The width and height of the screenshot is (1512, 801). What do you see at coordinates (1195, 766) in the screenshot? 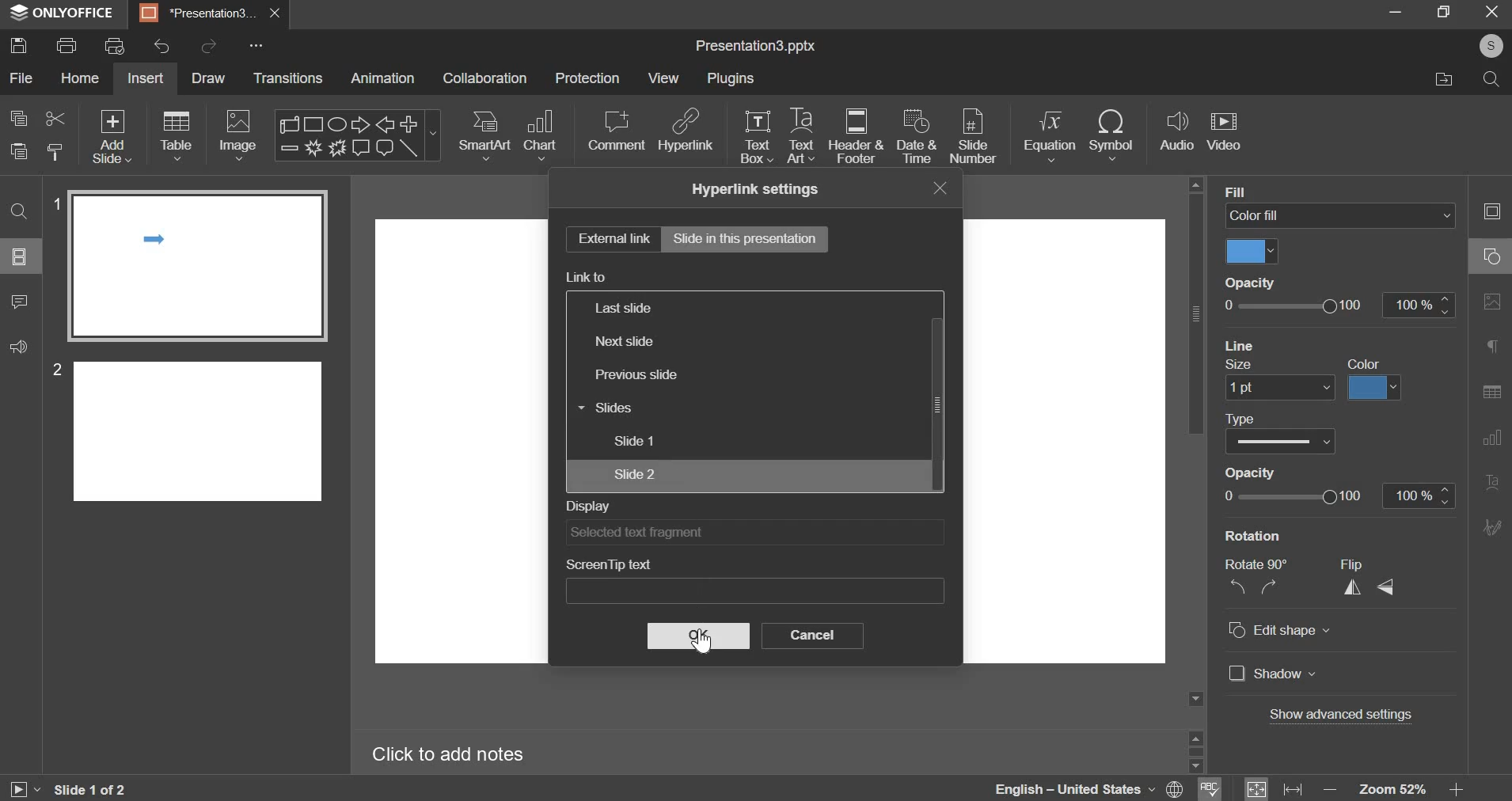
I see `scroll down` at bounding box center [1195, 766].